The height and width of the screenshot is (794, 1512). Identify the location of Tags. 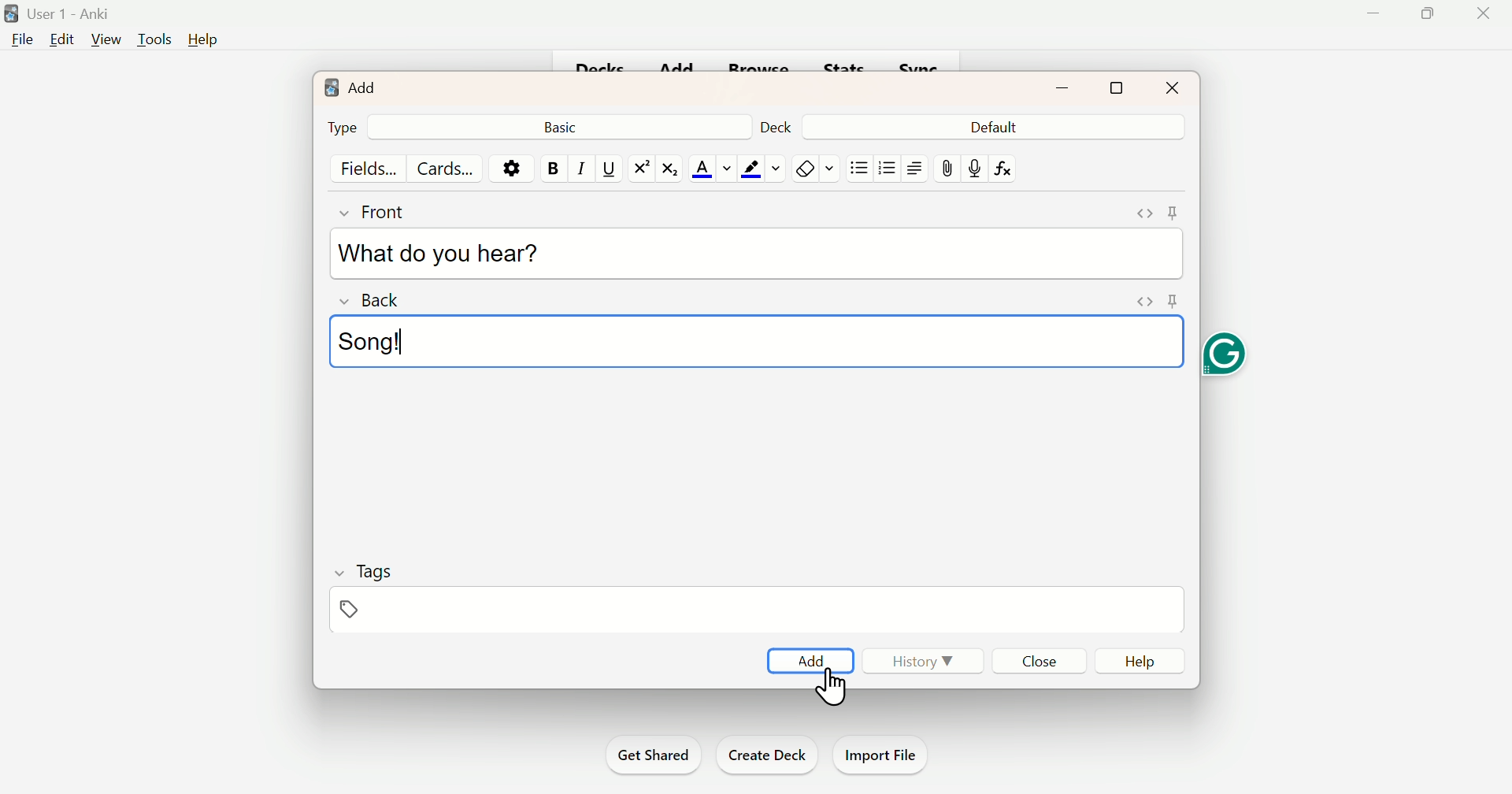
(378, 570).